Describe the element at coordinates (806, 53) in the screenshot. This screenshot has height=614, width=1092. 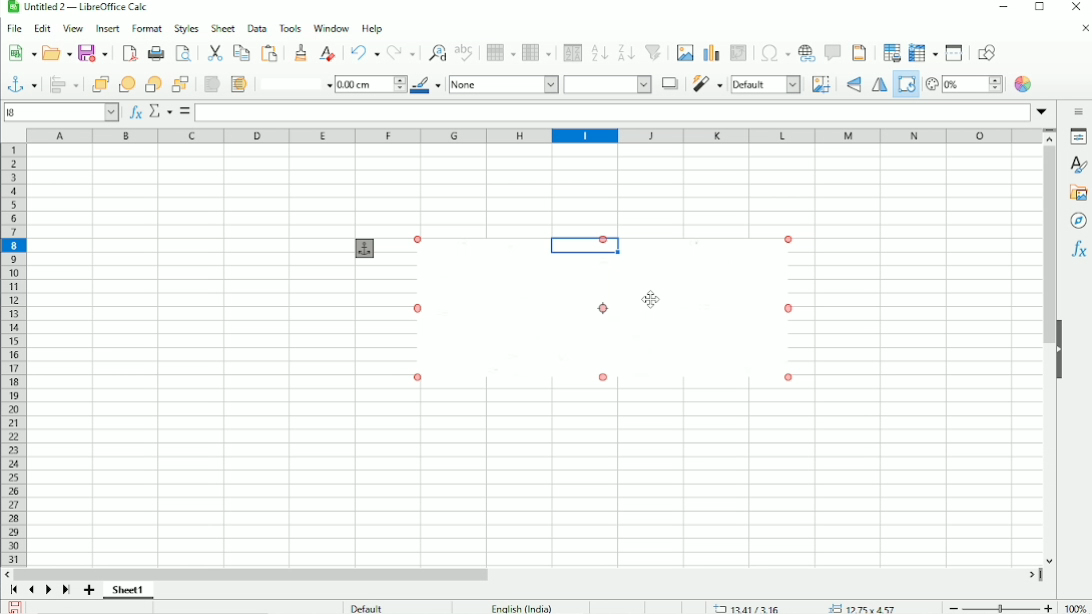
I see `Insert hyperlink` at that location.